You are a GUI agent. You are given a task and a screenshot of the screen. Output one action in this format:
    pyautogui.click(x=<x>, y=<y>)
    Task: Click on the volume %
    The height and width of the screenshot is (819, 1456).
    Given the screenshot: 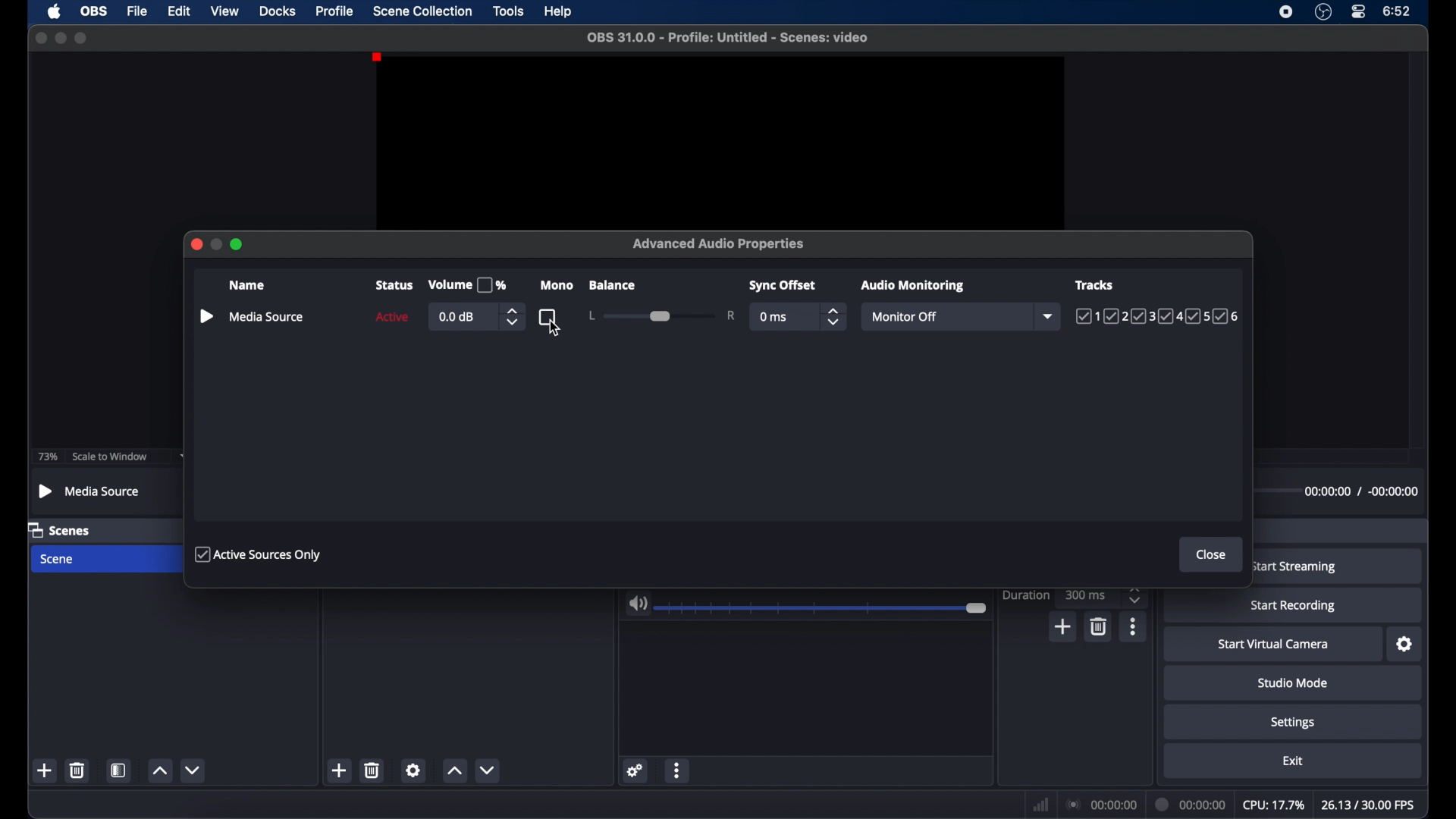 What is the action you would take?
    pyautogui.click(x=467, y=285)
    